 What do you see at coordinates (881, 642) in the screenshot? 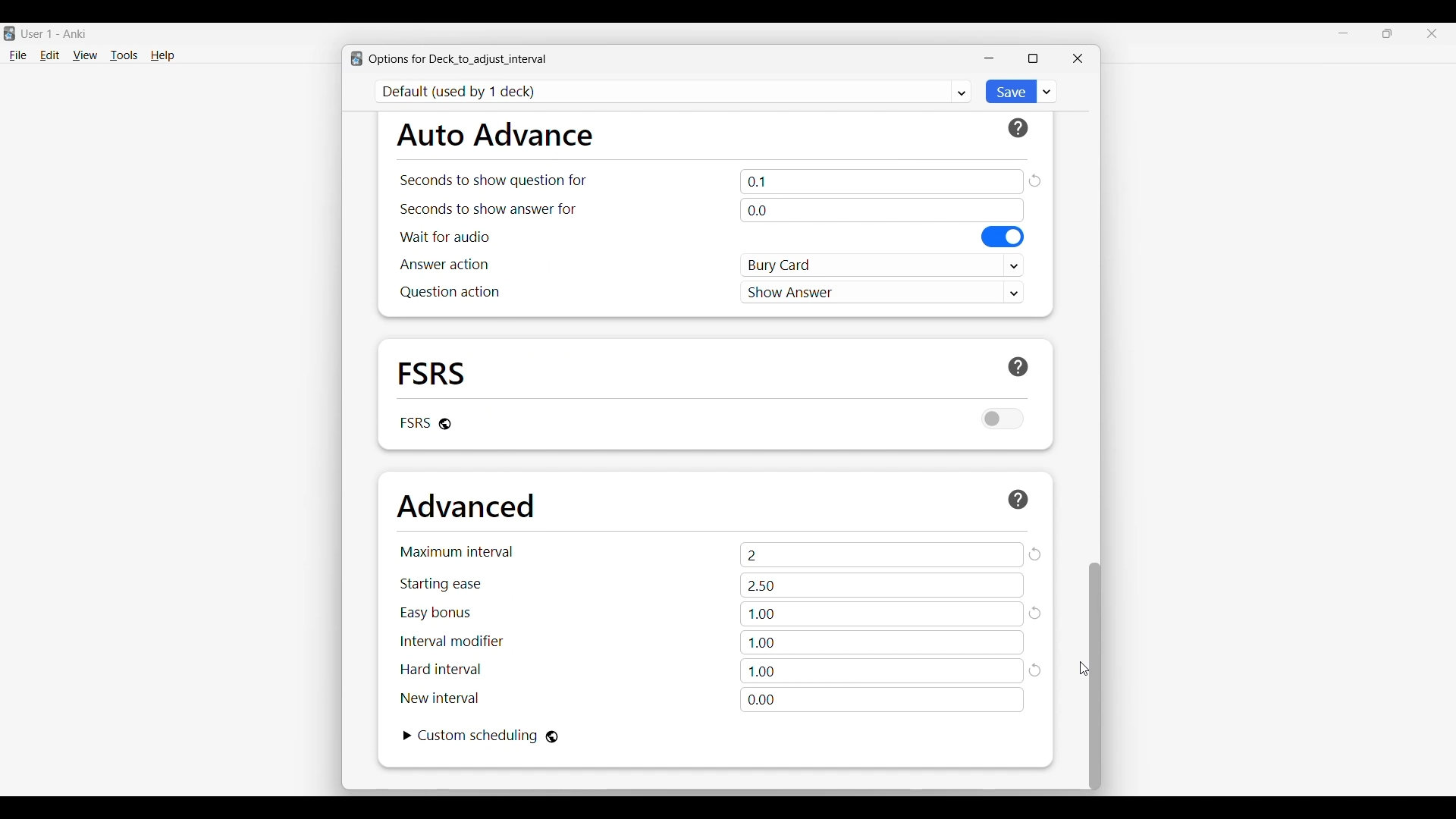
I see `1.00` at bounding box center [881, 642].